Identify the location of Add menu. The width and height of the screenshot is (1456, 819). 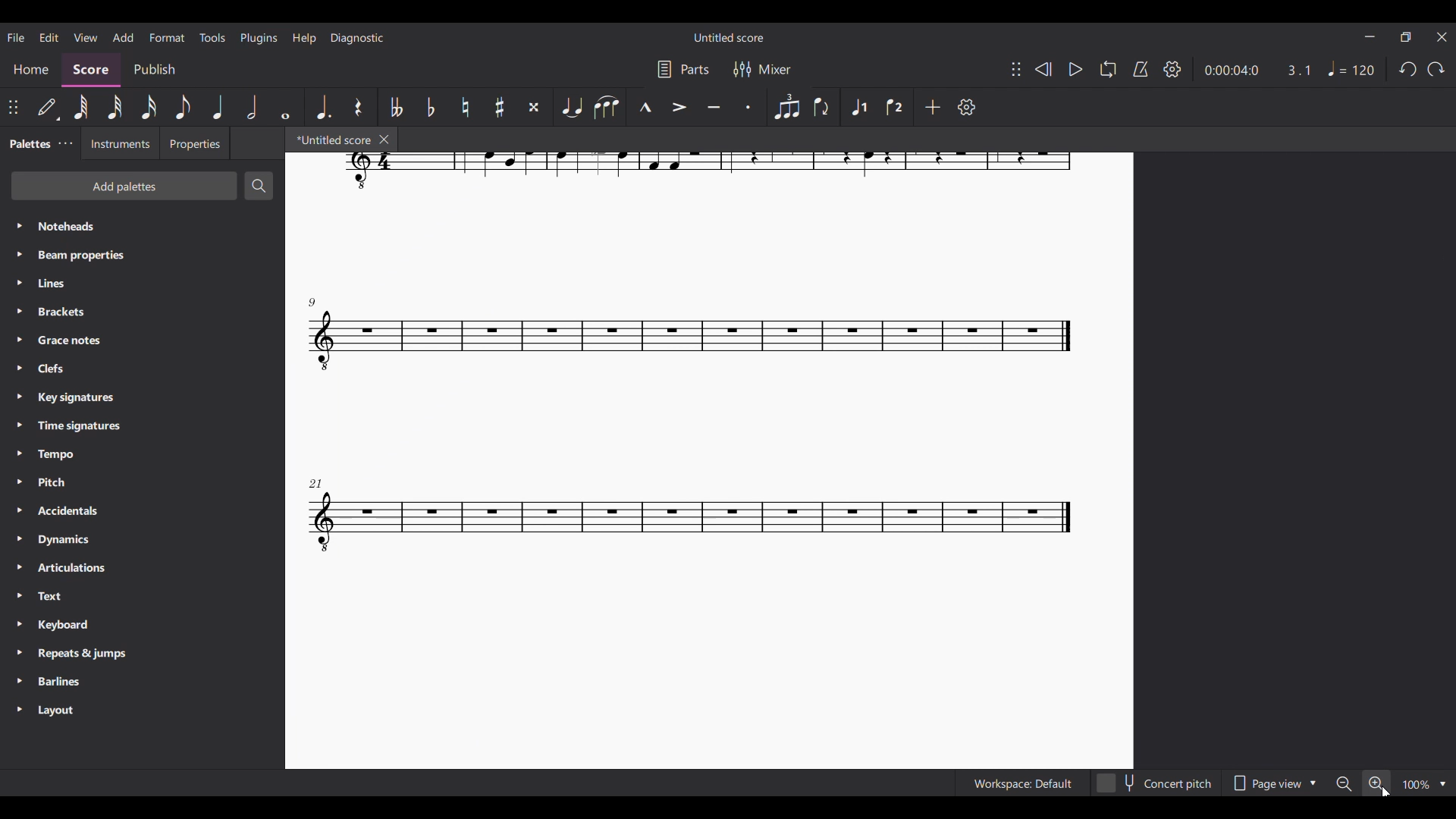
(124, 37).